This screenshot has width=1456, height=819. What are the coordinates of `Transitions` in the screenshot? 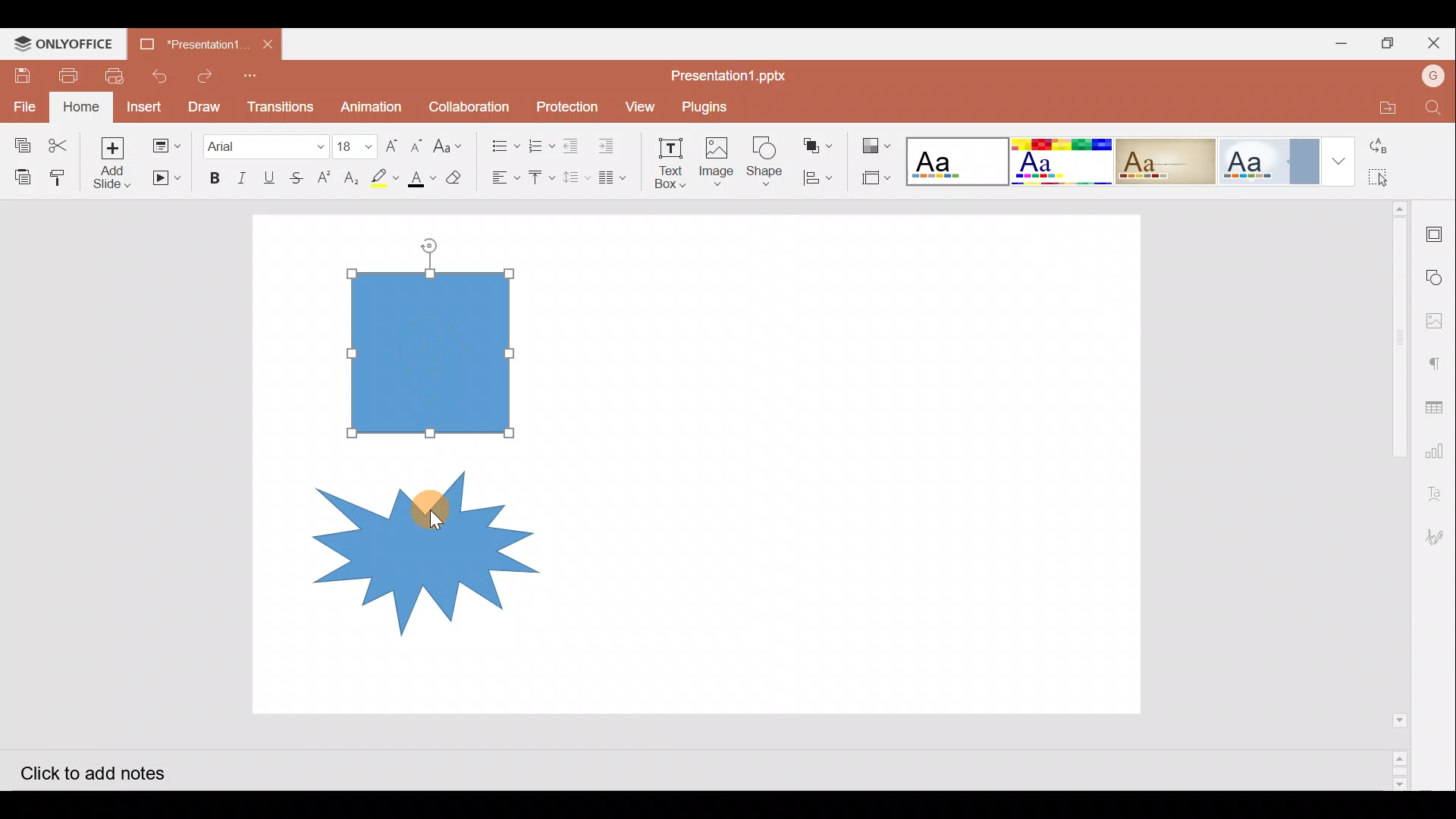 It's located at (279, 103).